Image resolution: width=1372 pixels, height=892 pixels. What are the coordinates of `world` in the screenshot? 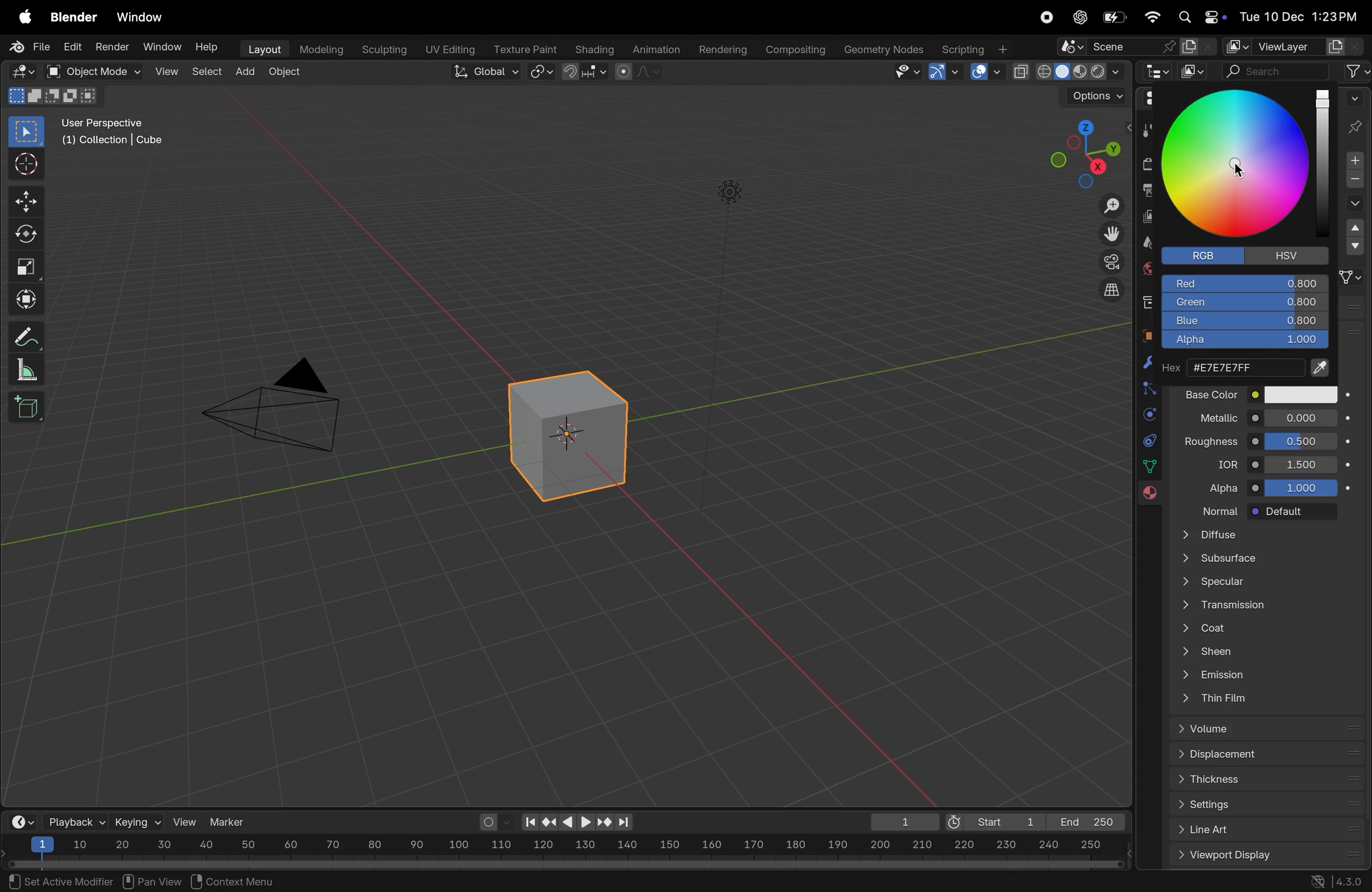 It's located at (1147, 267).